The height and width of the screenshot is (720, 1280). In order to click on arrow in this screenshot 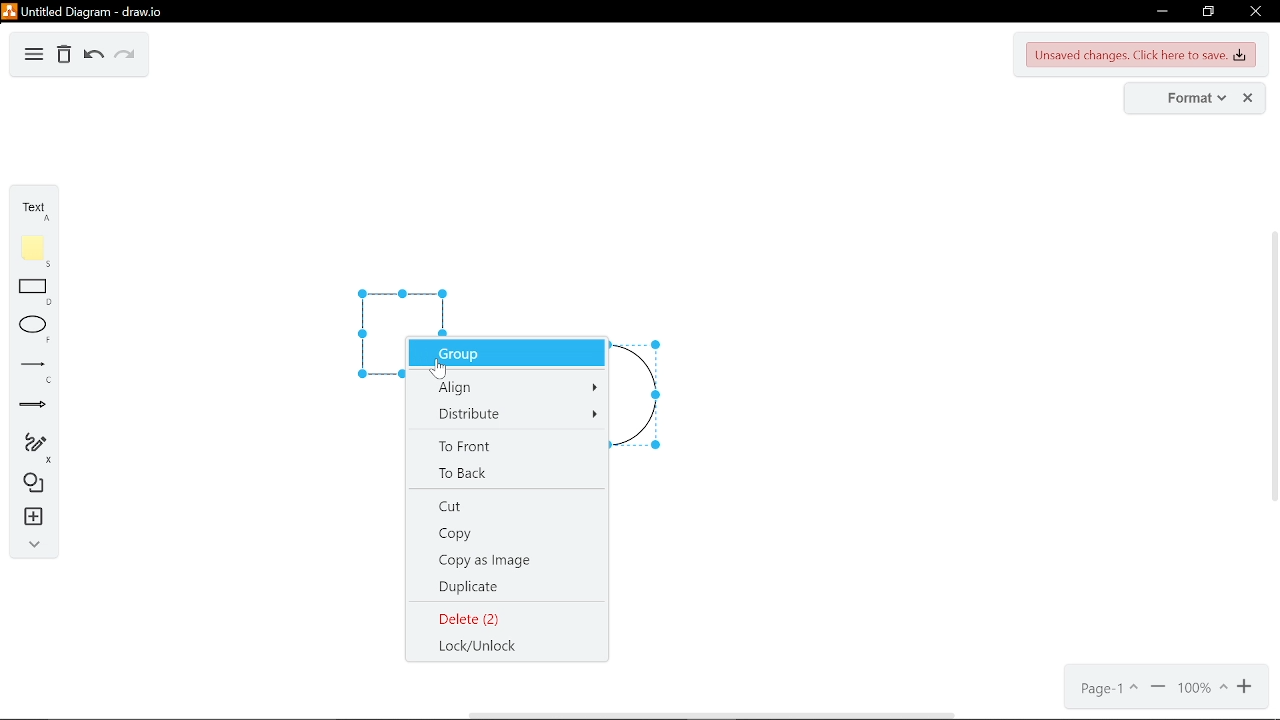, I will do `click(30, 405)`.